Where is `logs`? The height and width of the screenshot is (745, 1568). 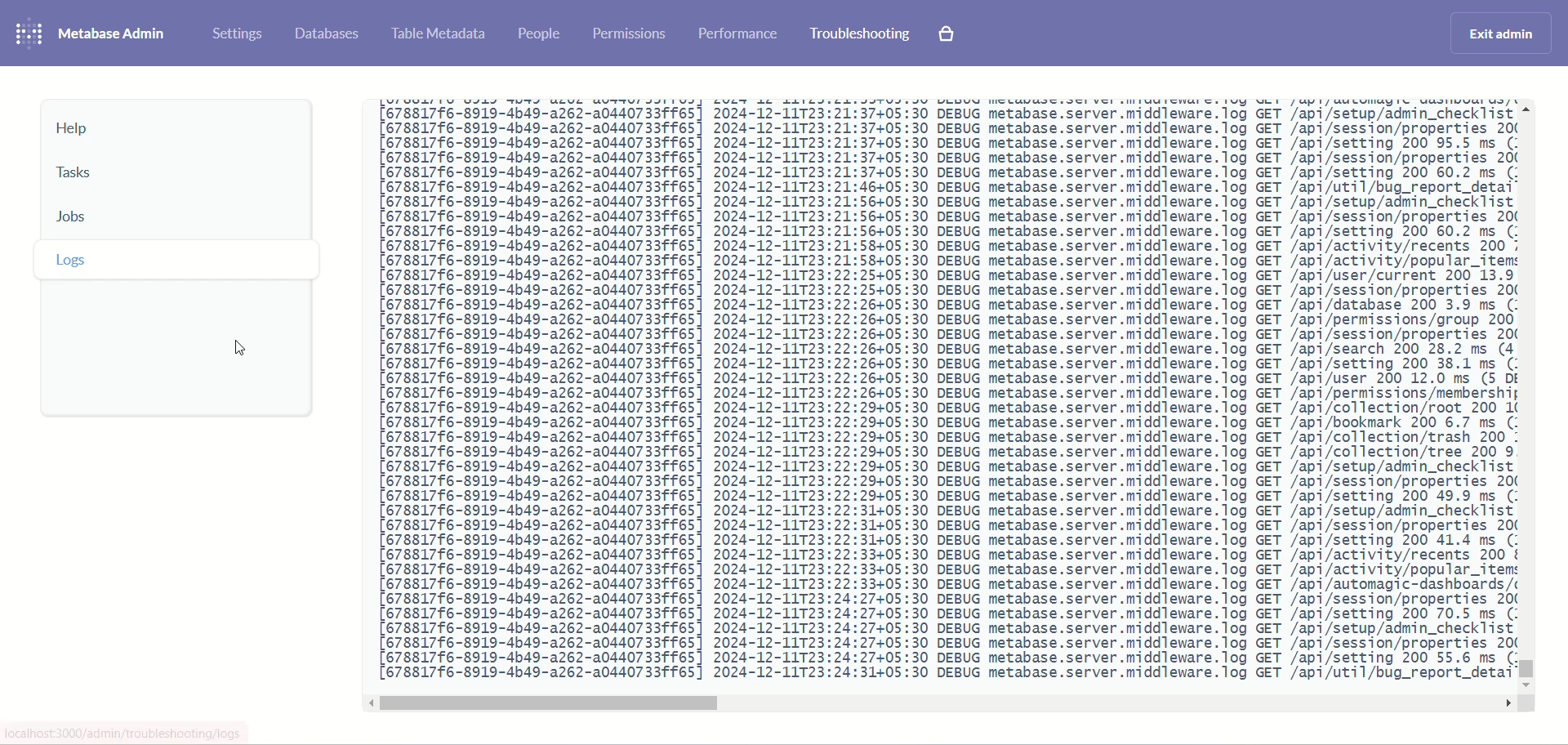
logs is located at coordinates (943, 391).